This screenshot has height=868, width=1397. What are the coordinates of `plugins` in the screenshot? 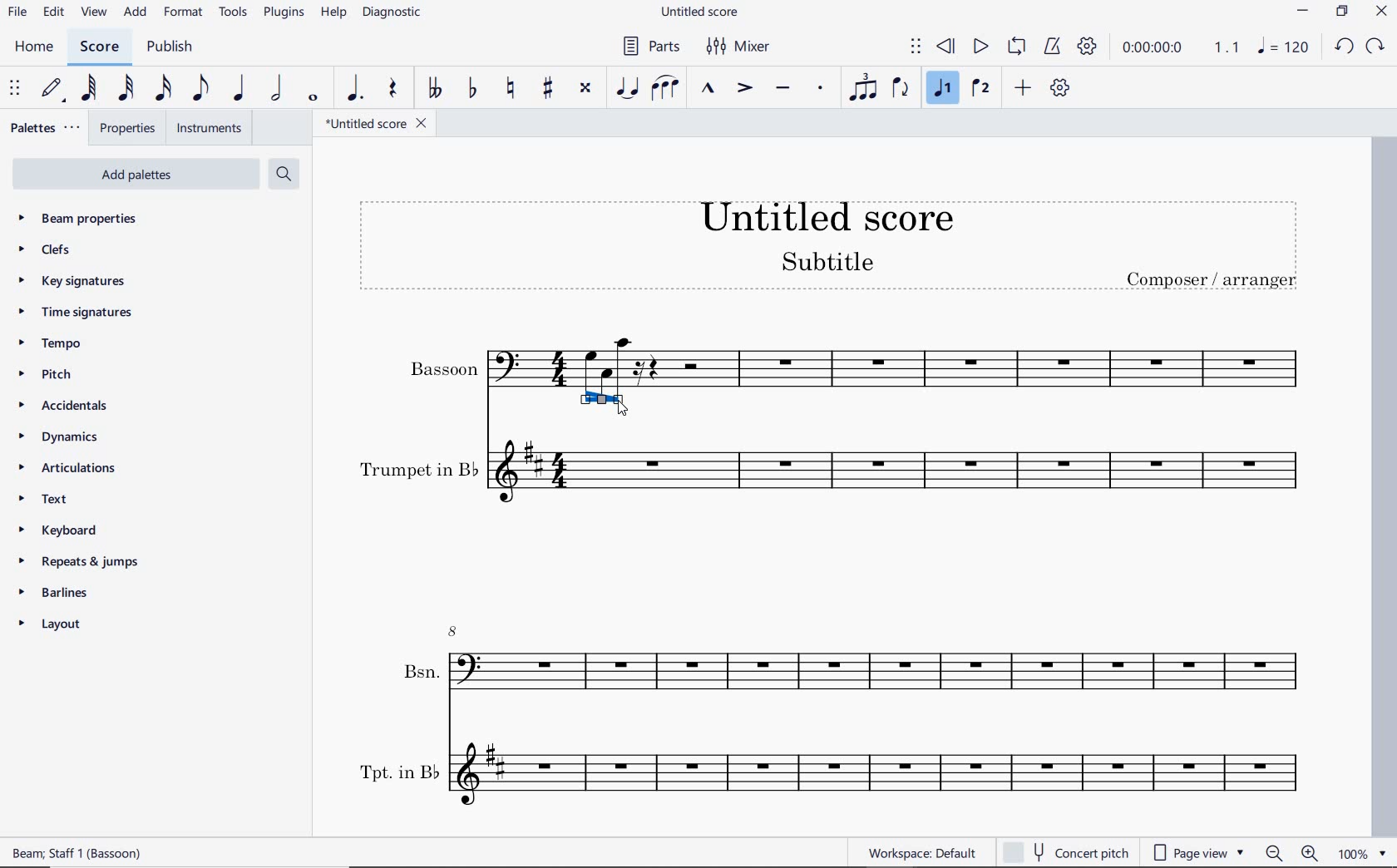 It's located at (286, 12).